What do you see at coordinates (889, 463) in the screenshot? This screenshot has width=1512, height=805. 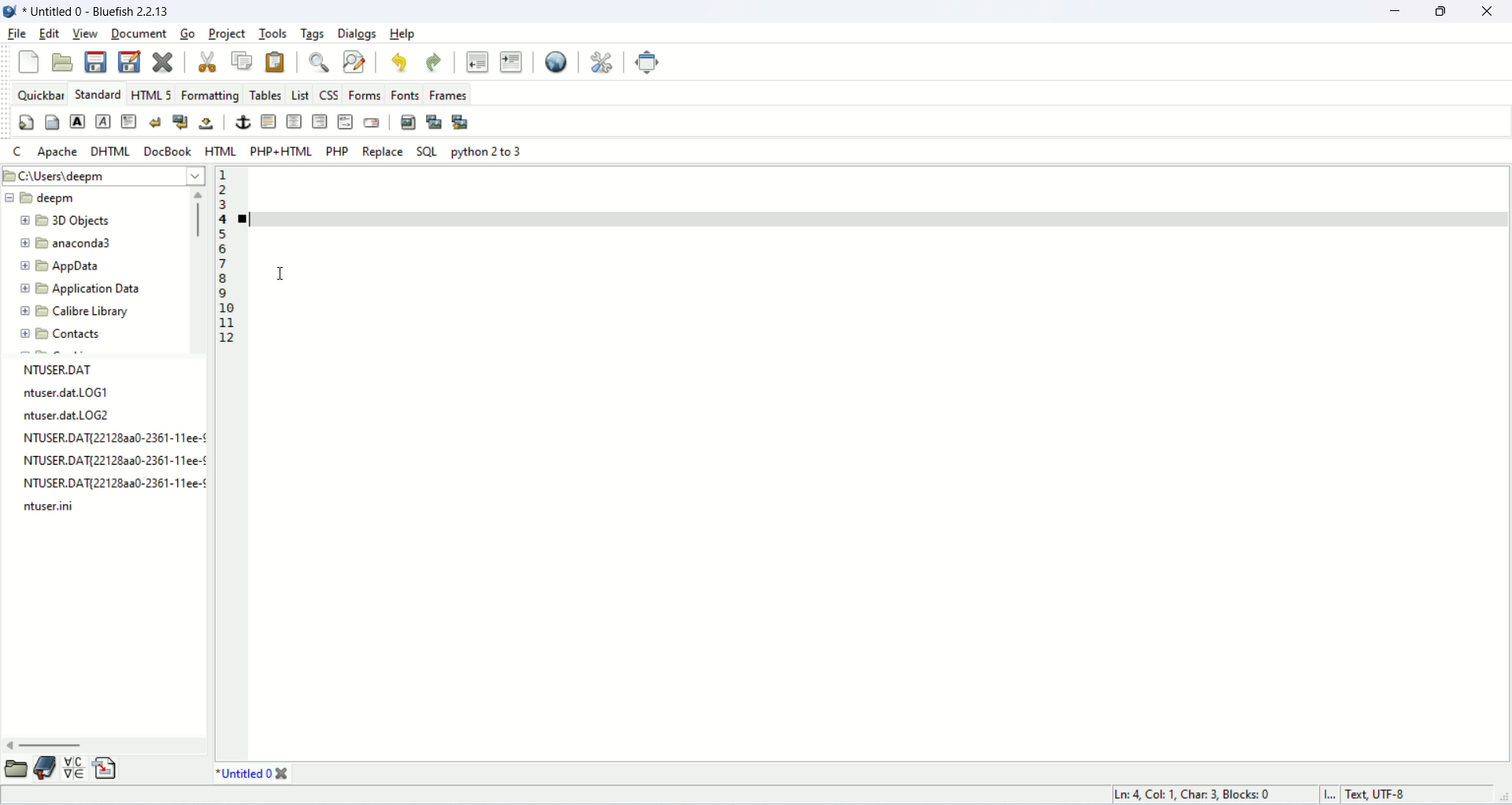 I see `editor` at bounding box center [889, 463].